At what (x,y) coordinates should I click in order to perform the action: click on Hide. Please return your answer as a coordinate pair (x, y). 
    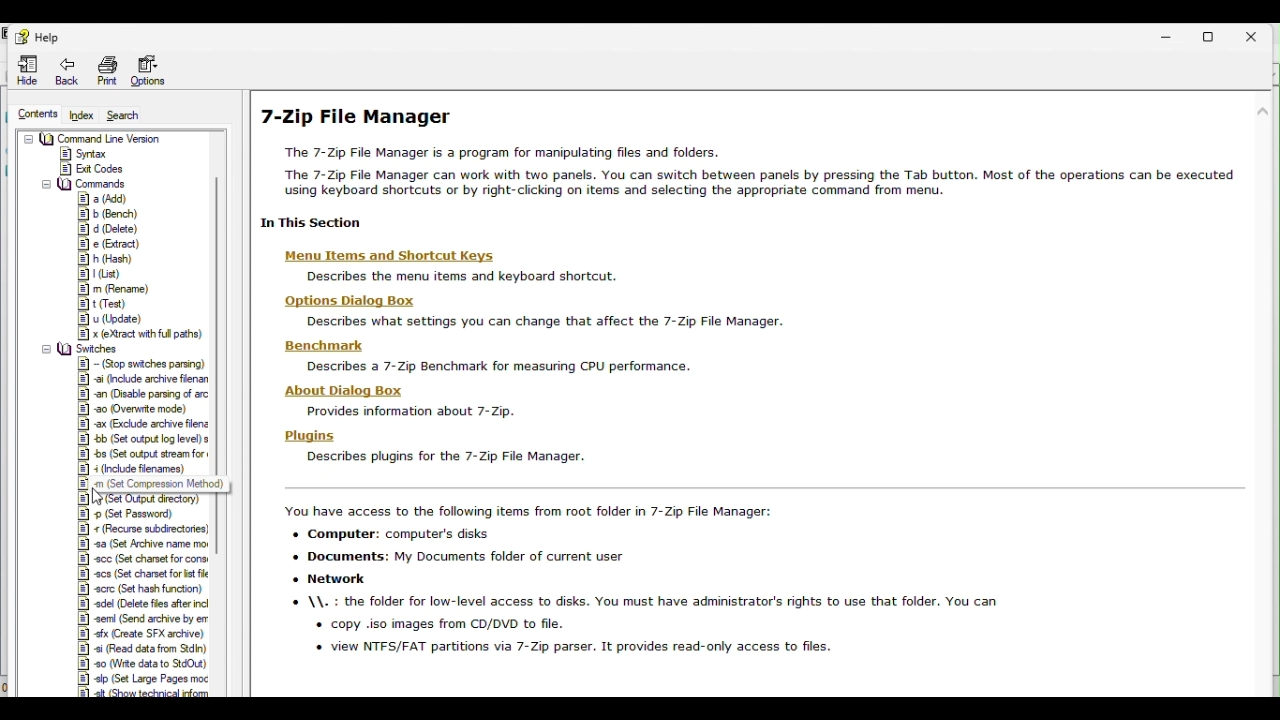
    Looking at the image, I should click on (29, 70).